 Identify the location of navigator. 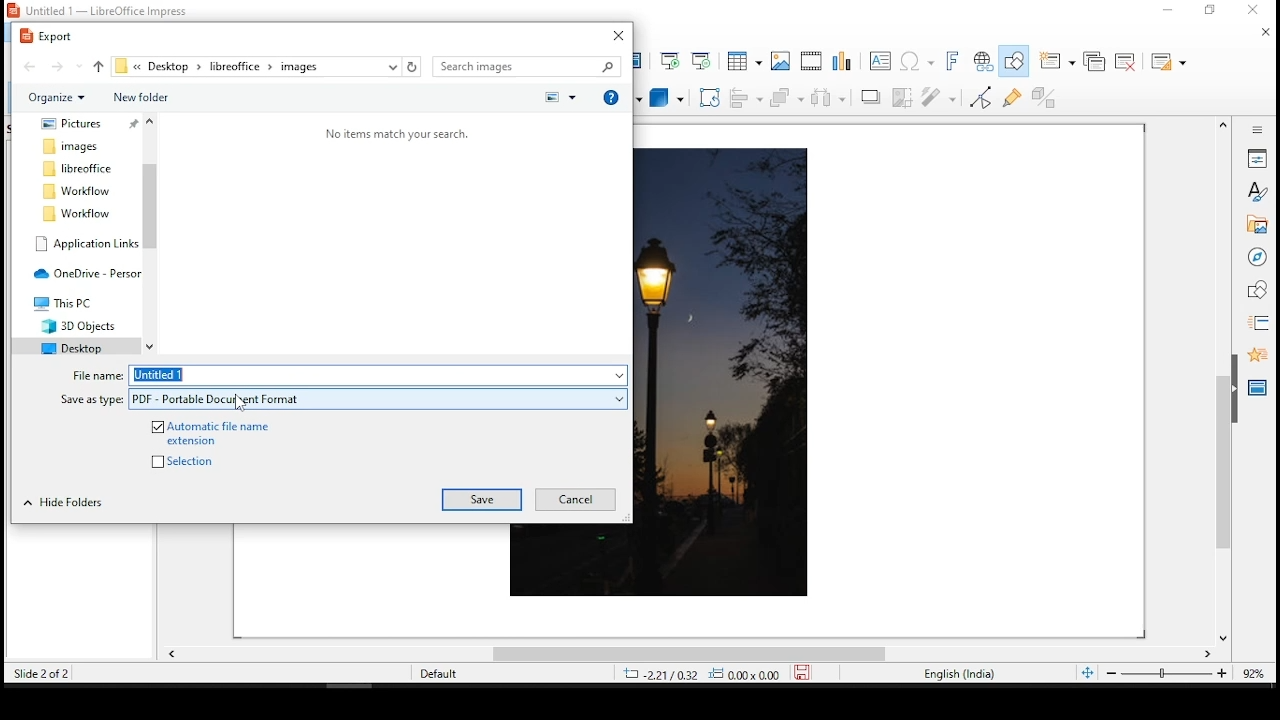
(1257, 257).